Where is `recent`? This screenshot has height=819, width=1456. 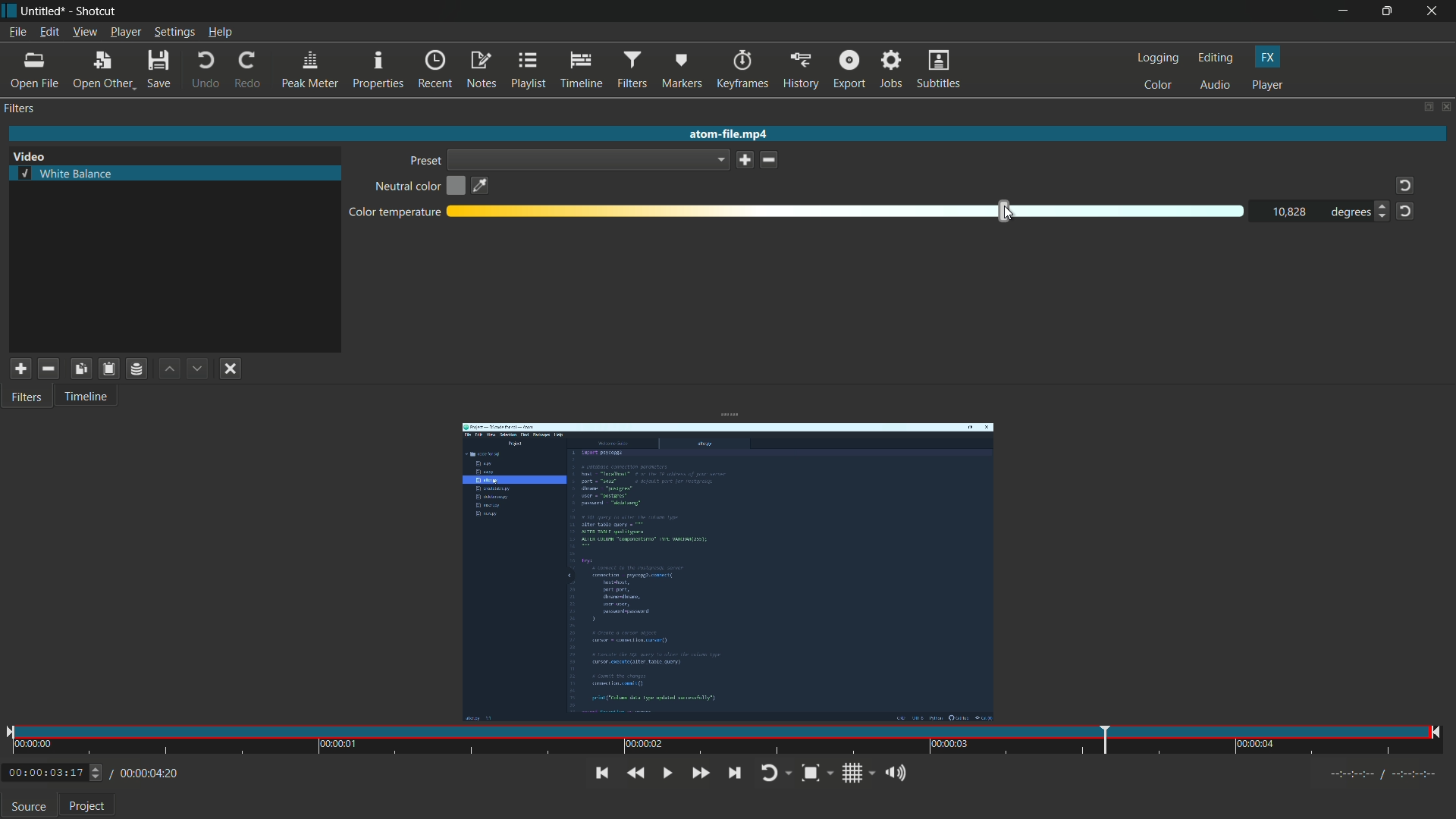 recent is located at coordinates (436, 71).